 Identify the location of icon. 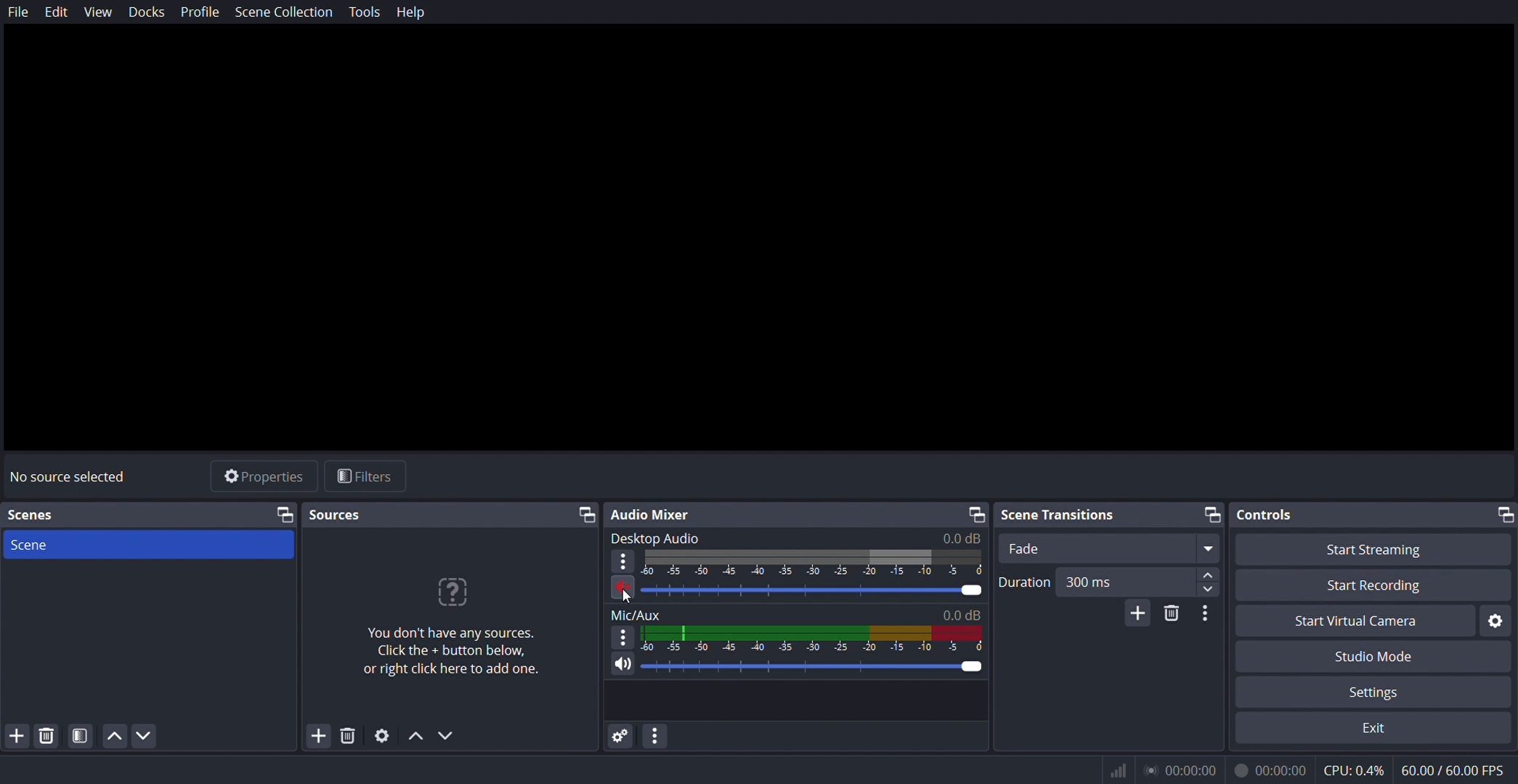
(1118, 773).